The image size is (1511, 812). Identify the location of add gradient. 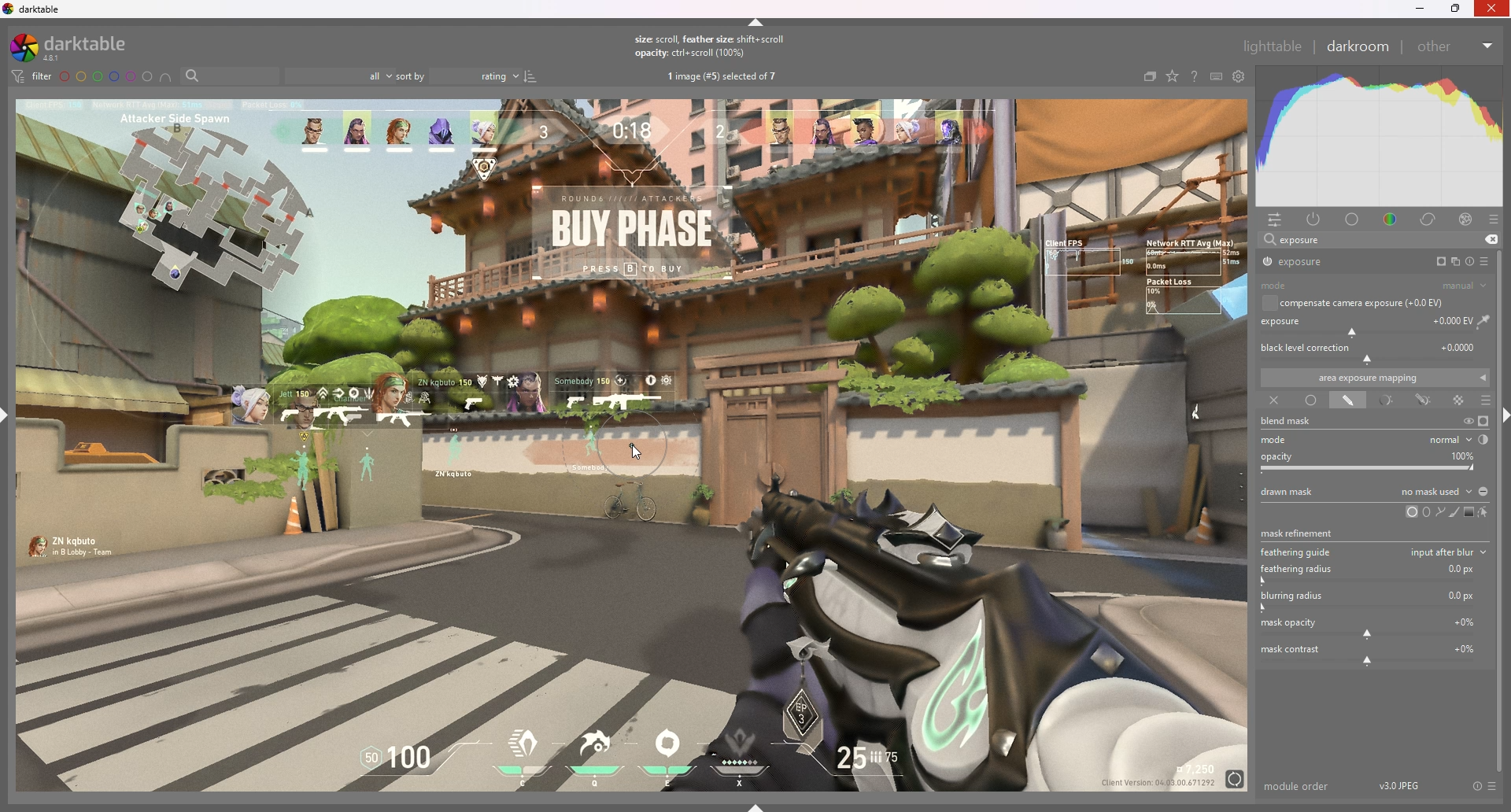
(1468, 511).